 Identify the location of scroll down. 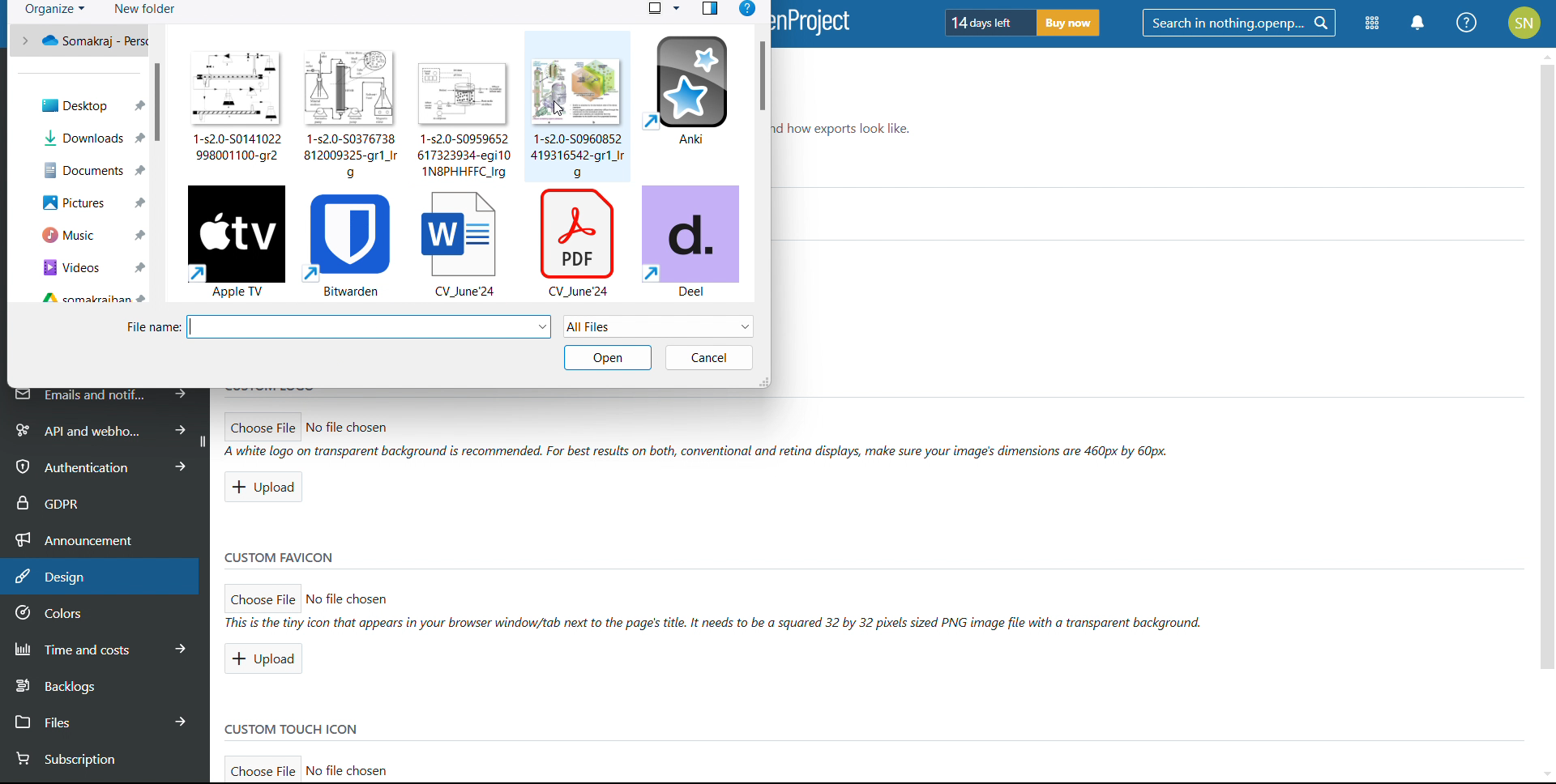
(1541, 772).